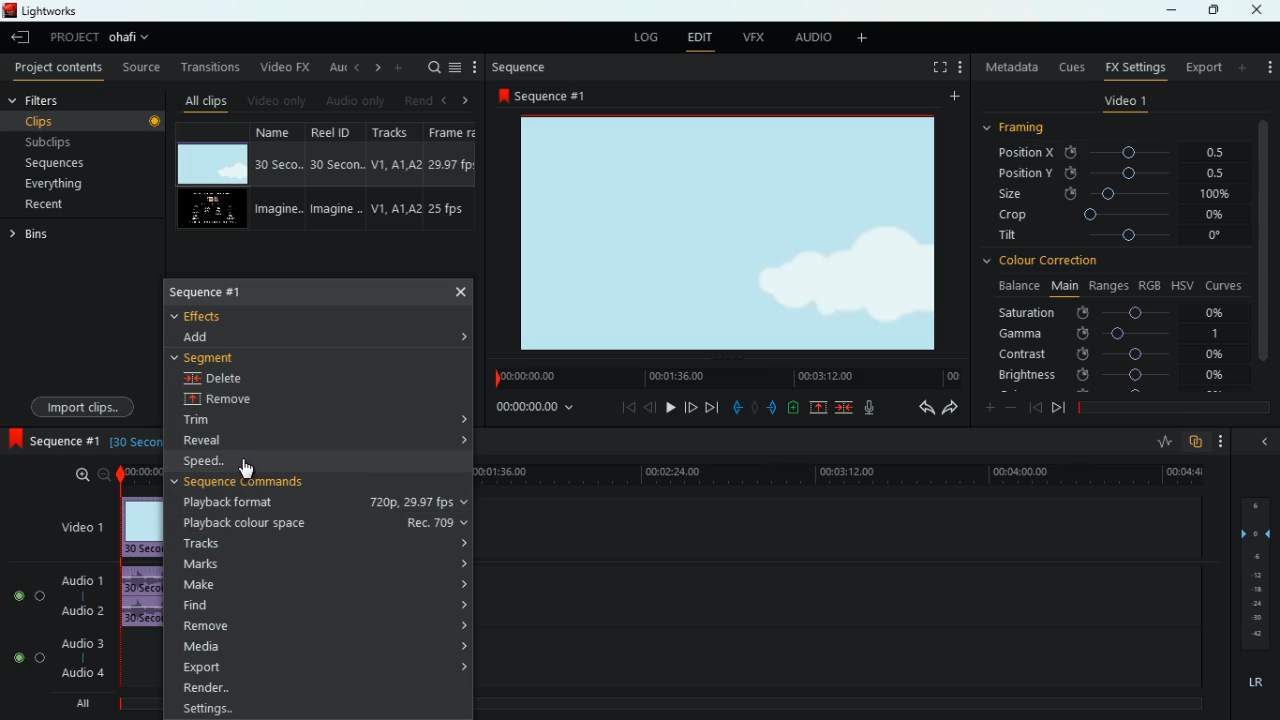 The image size is (1280, 720). What do you see at coordinates (458, 292) in the screenshot?
I see `close` at bounding box center [458, 292].